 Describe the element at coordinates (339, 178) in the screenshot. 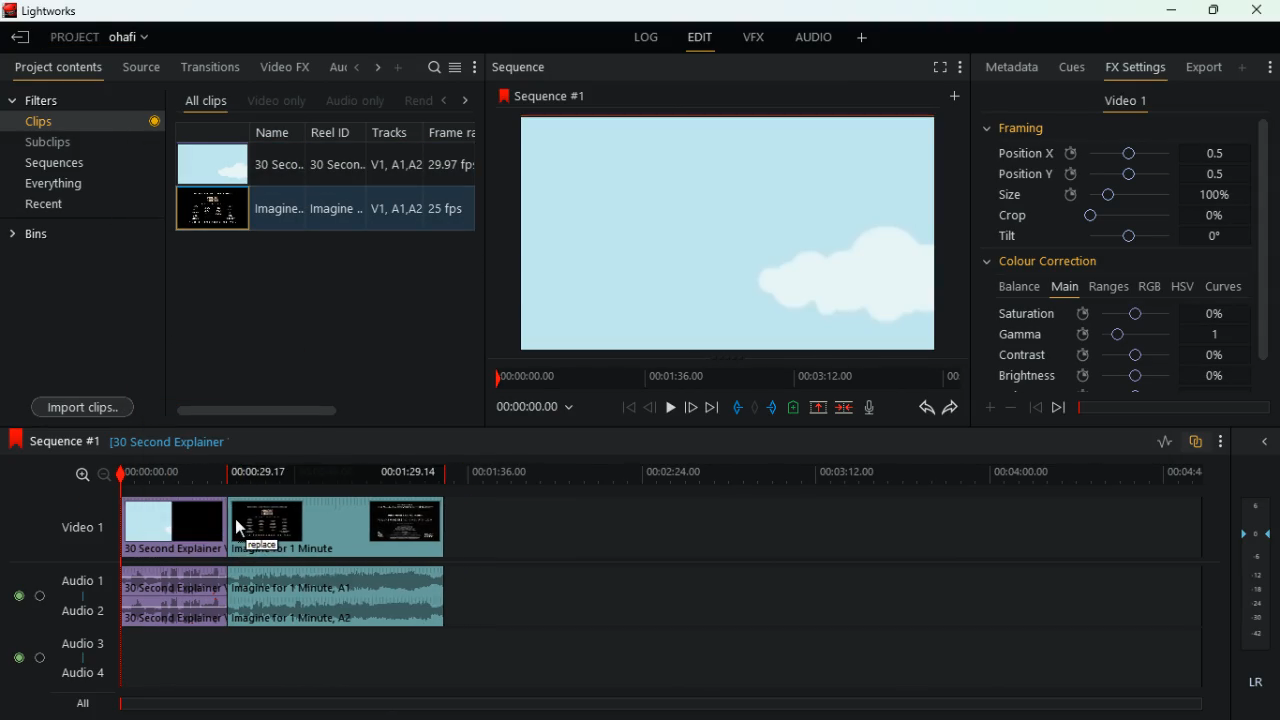

I see `reel id` at that location.